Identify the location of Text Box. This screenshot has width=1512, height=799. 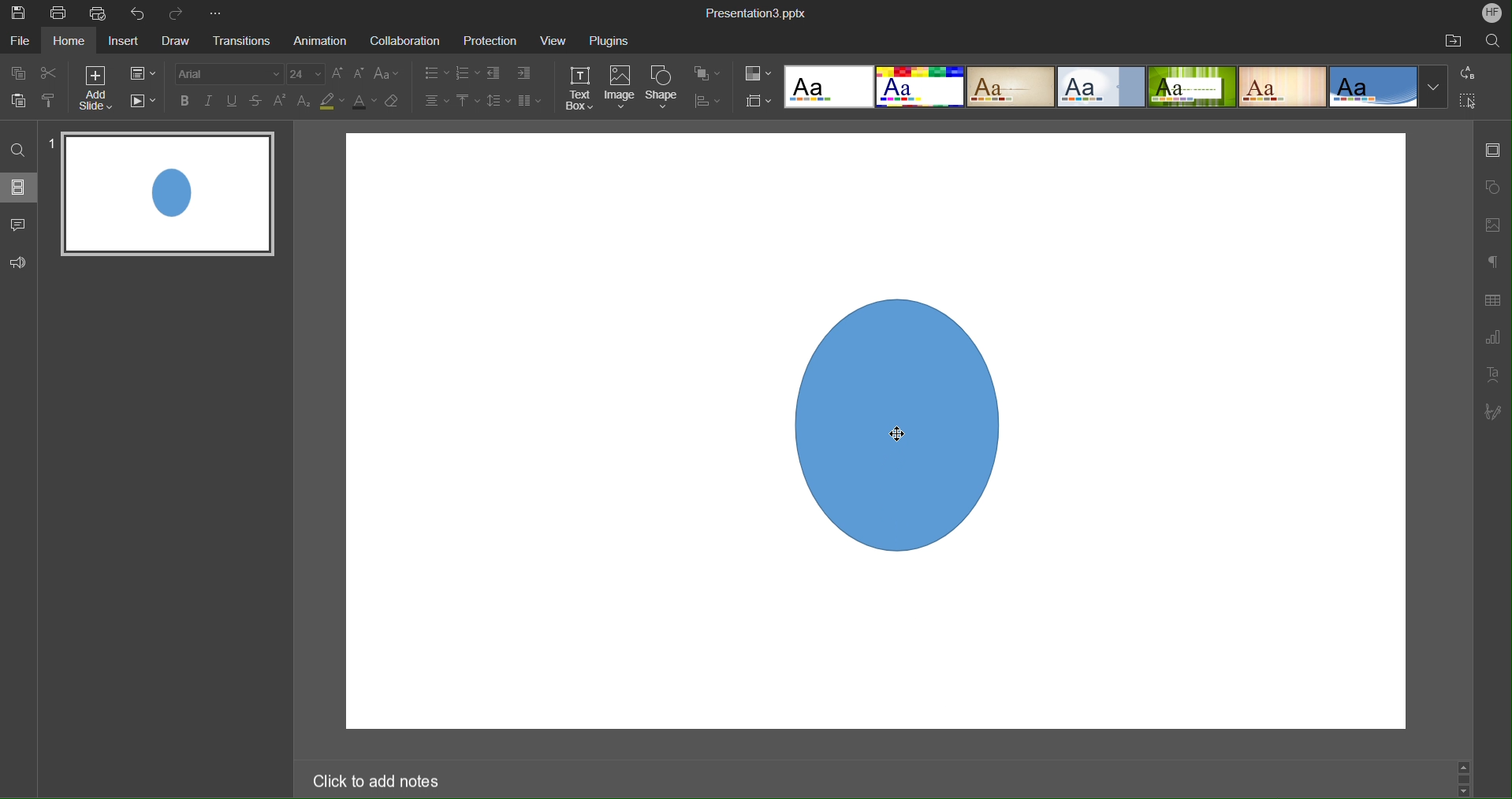
(579, 87).